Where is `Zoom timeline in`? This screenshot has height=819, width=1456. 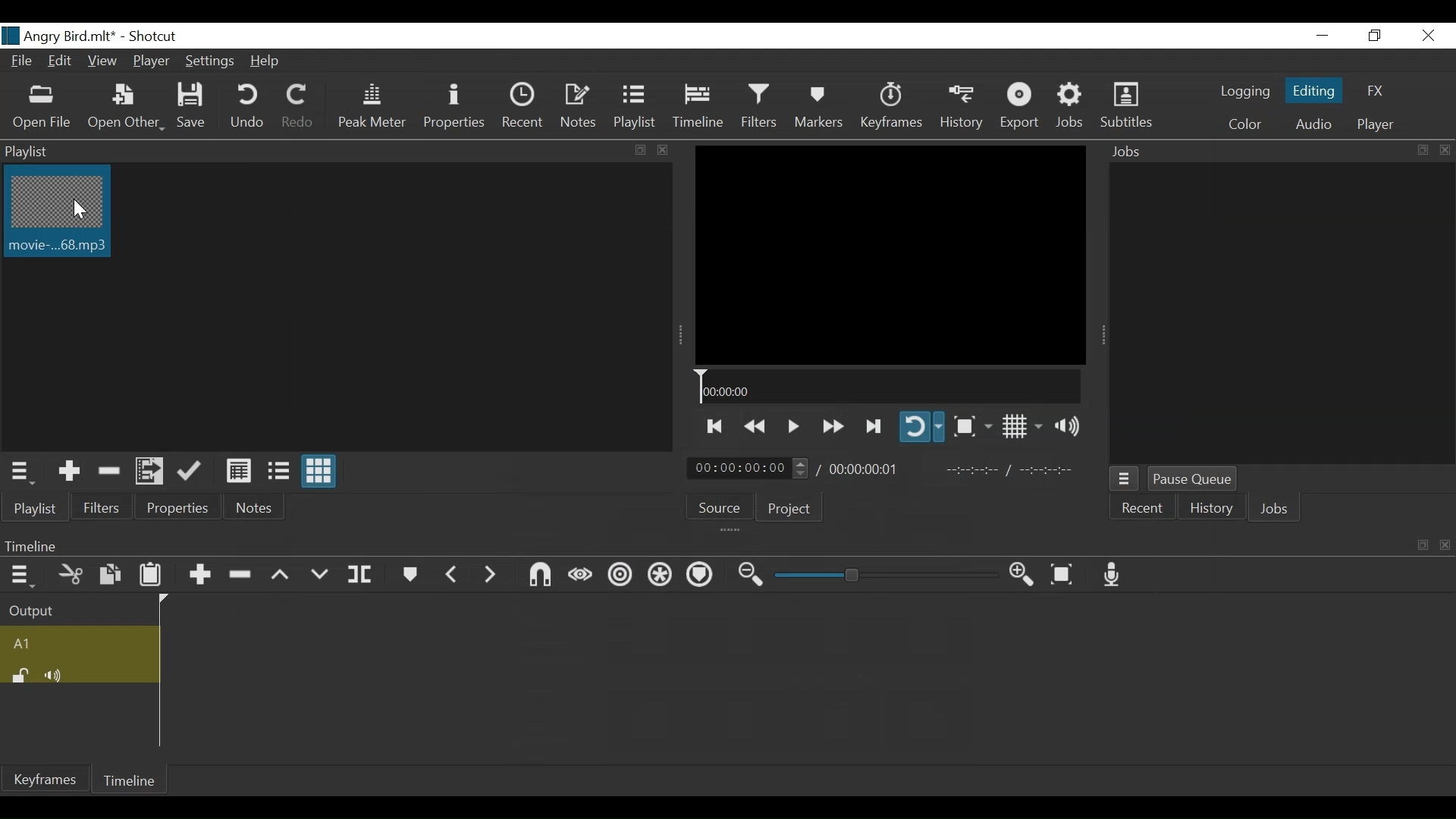
Zoom timeline in is located at coordinates (1025, 575).